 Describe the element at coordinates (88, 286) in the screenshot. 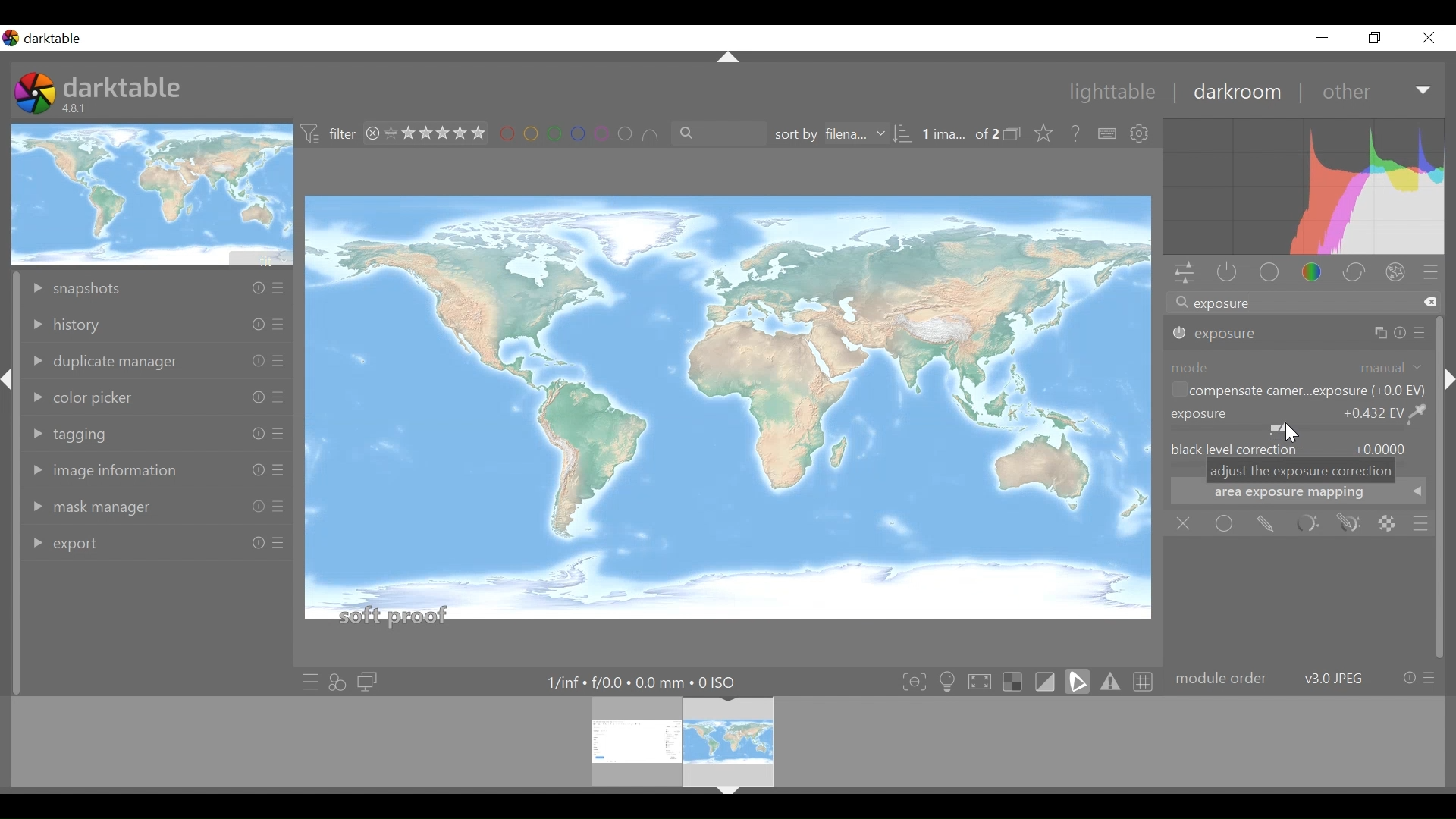

I see `snapshots` at that location.